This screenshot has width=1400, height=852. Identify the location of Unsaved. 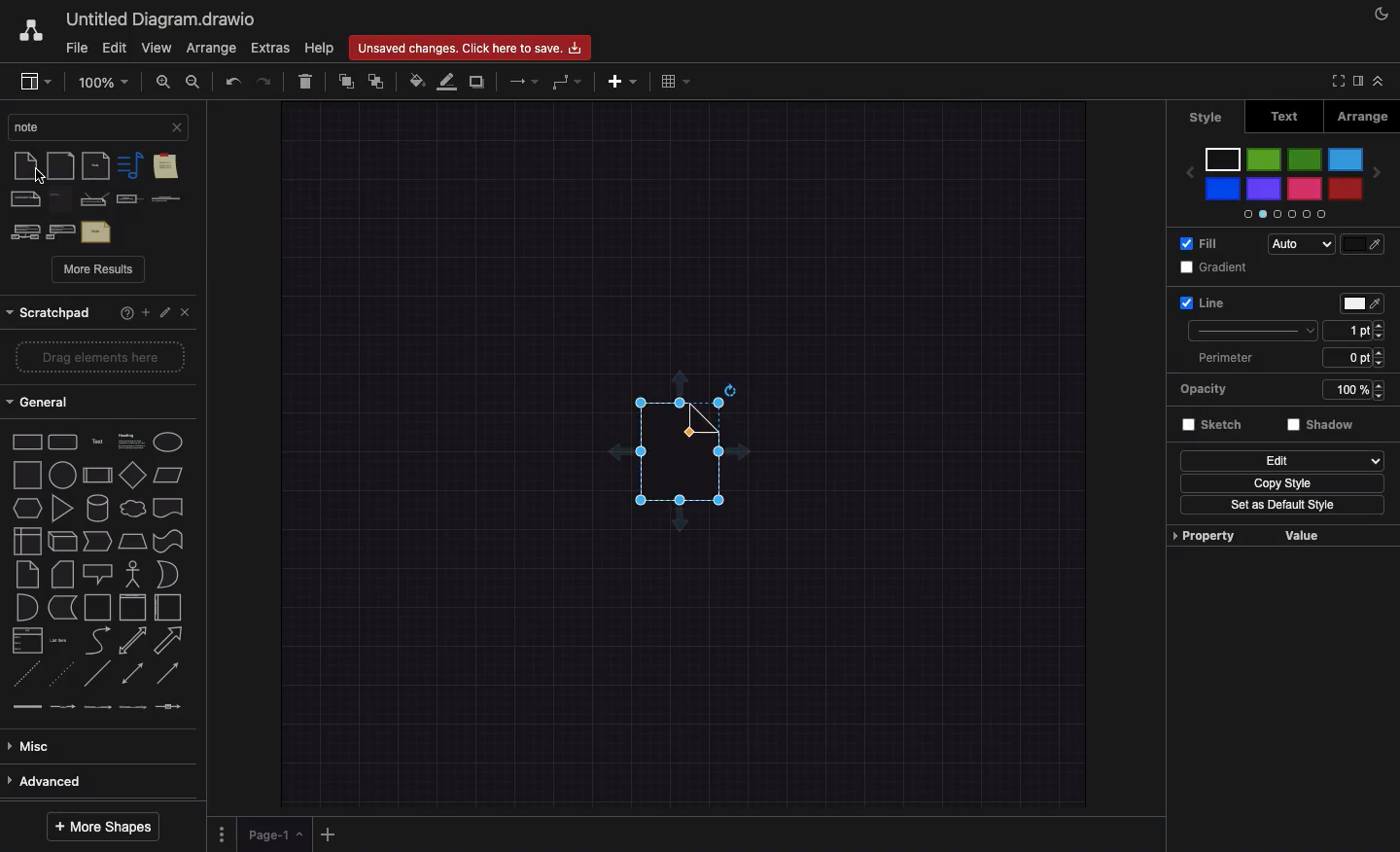
(470, 49).